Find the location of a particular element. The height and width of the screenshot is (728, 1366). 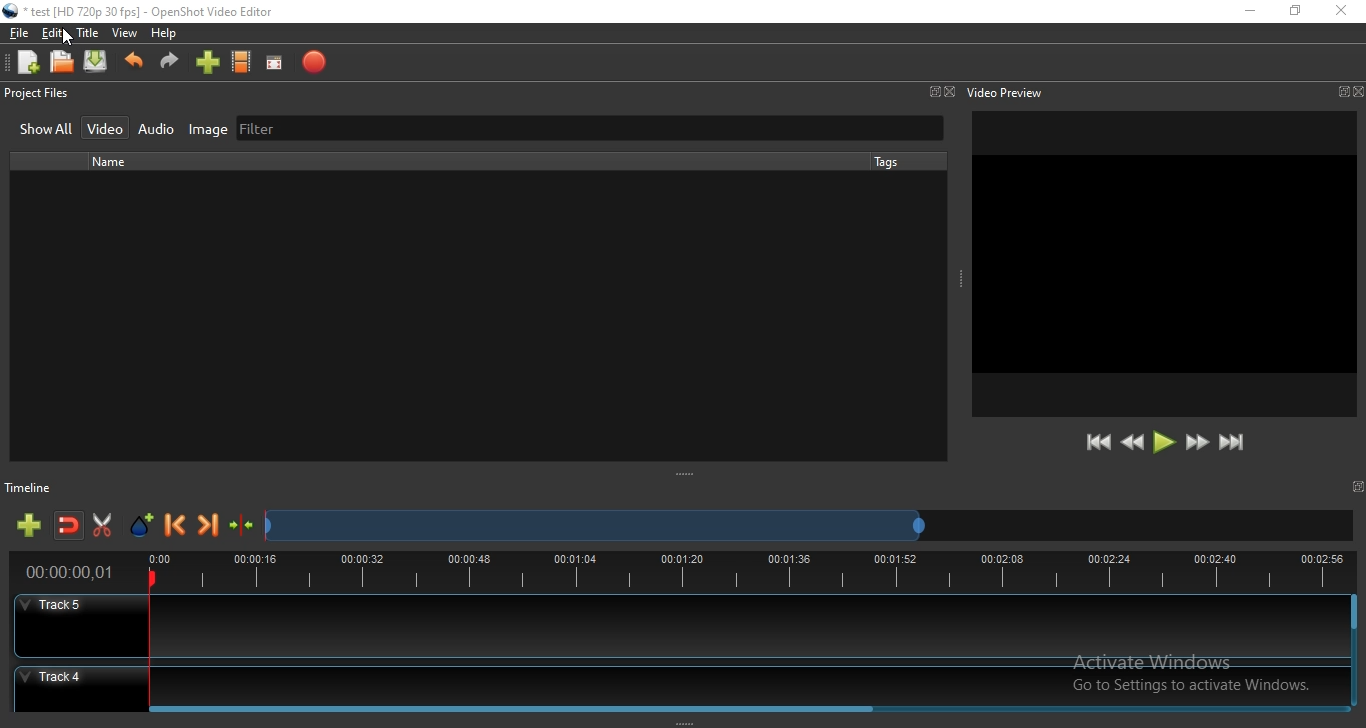

vertical scroll bar is located at coordinates (1354, 635).